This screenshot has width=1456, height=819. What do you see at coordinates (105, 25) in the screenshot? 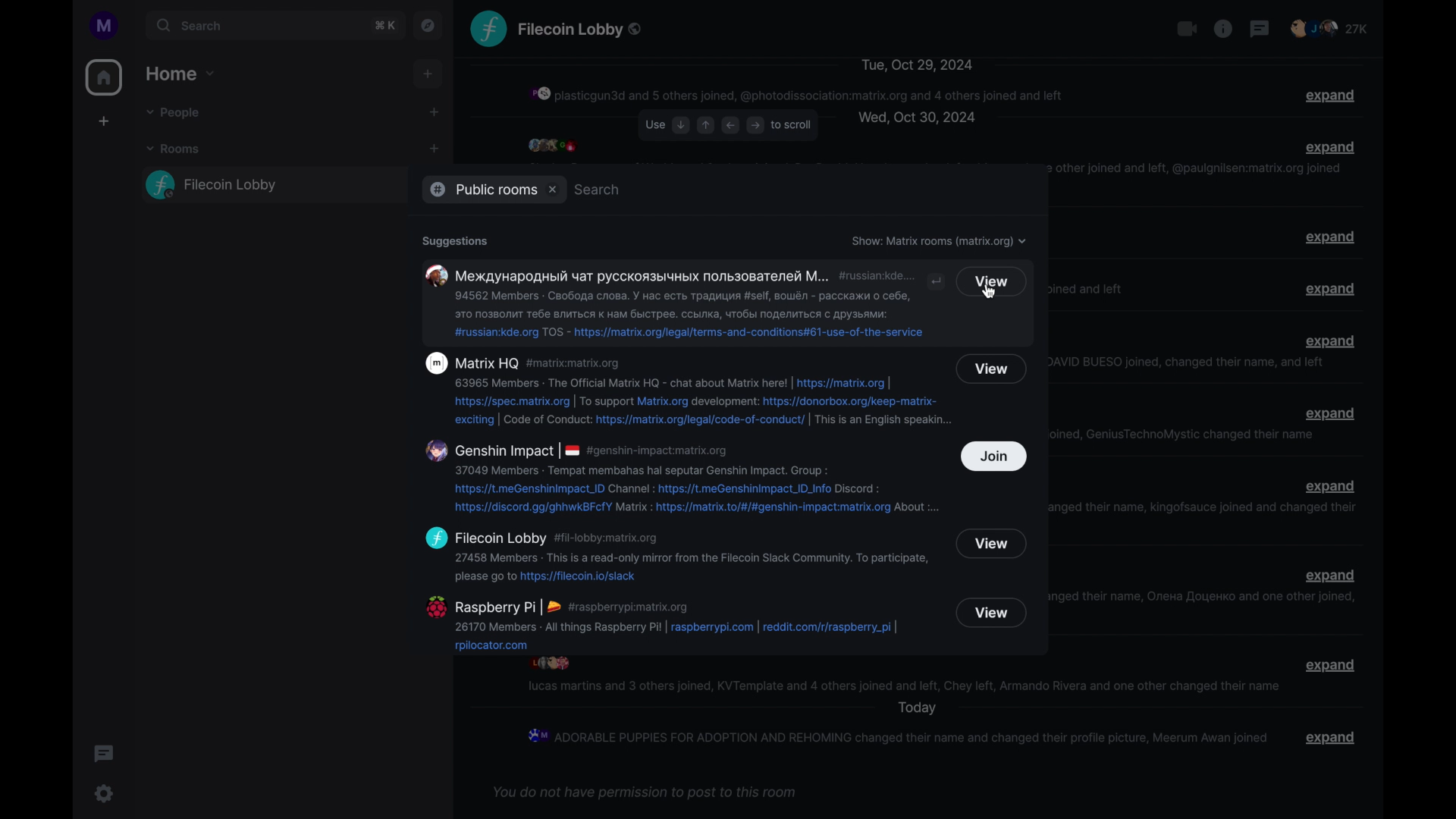
I see `account name` at bounding box center [105, 25].